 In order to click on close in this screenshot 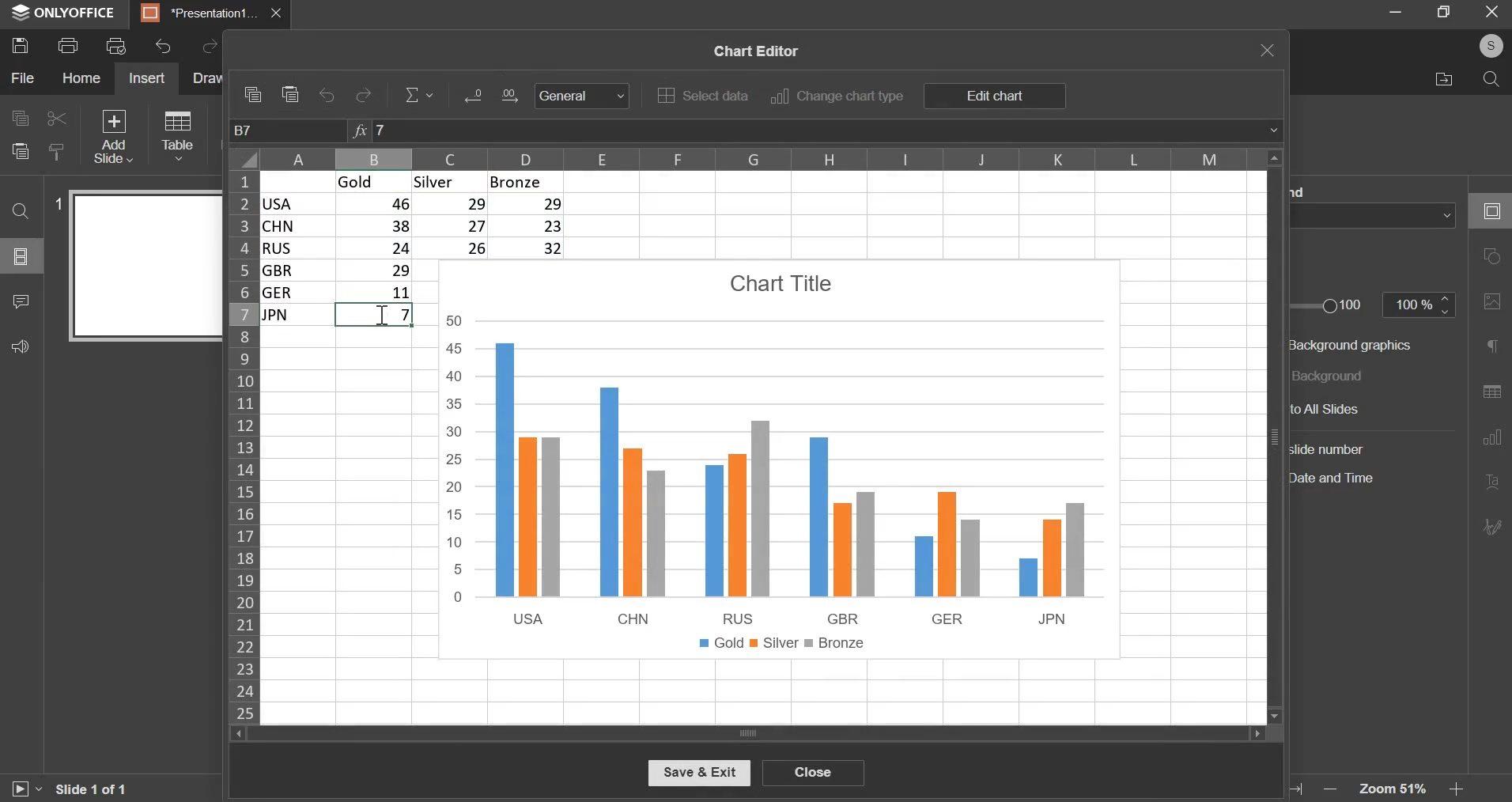, I will do `click(813, 772)`.